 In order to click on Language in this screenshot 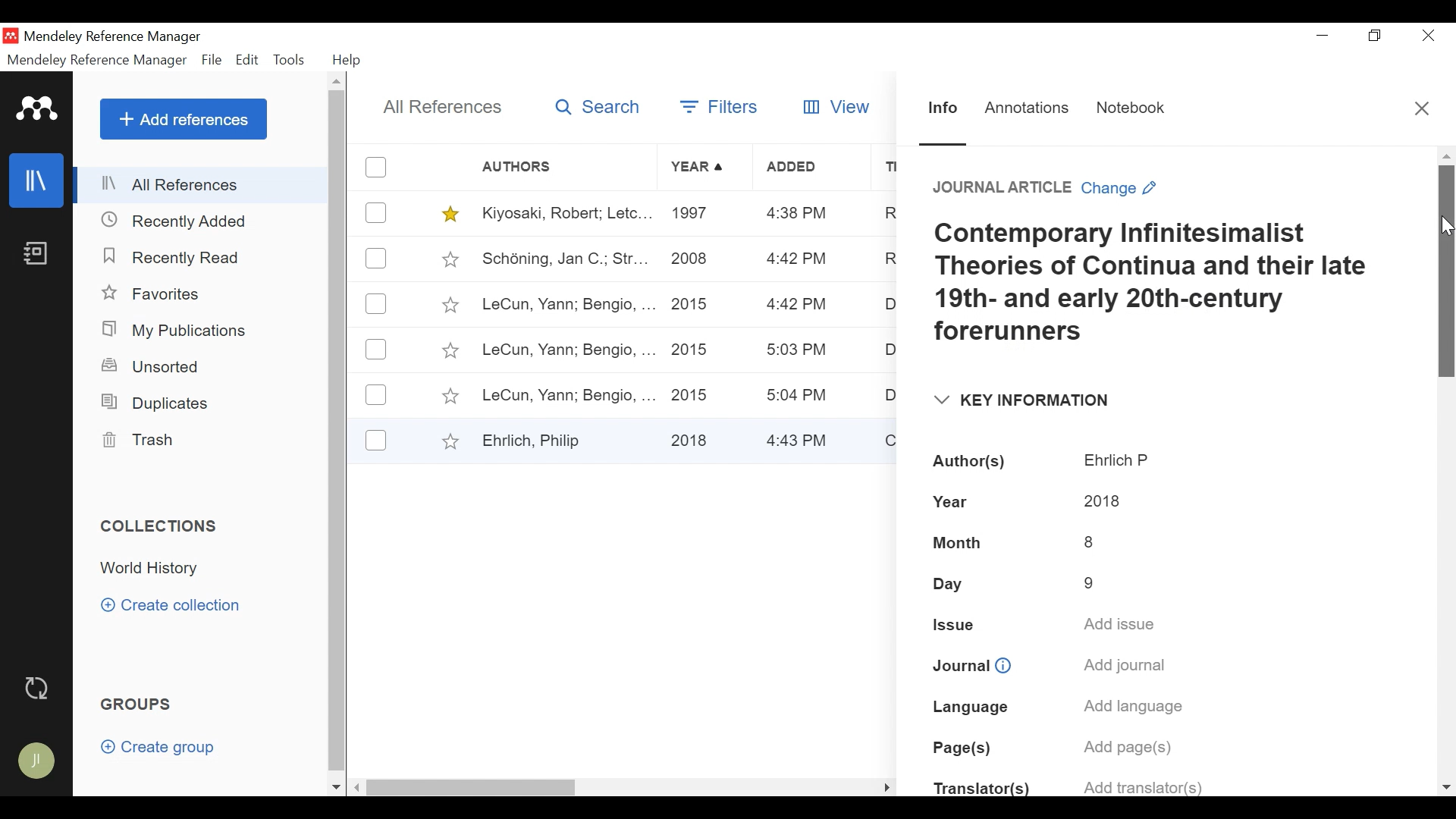, I will do `click(968, 705)`.